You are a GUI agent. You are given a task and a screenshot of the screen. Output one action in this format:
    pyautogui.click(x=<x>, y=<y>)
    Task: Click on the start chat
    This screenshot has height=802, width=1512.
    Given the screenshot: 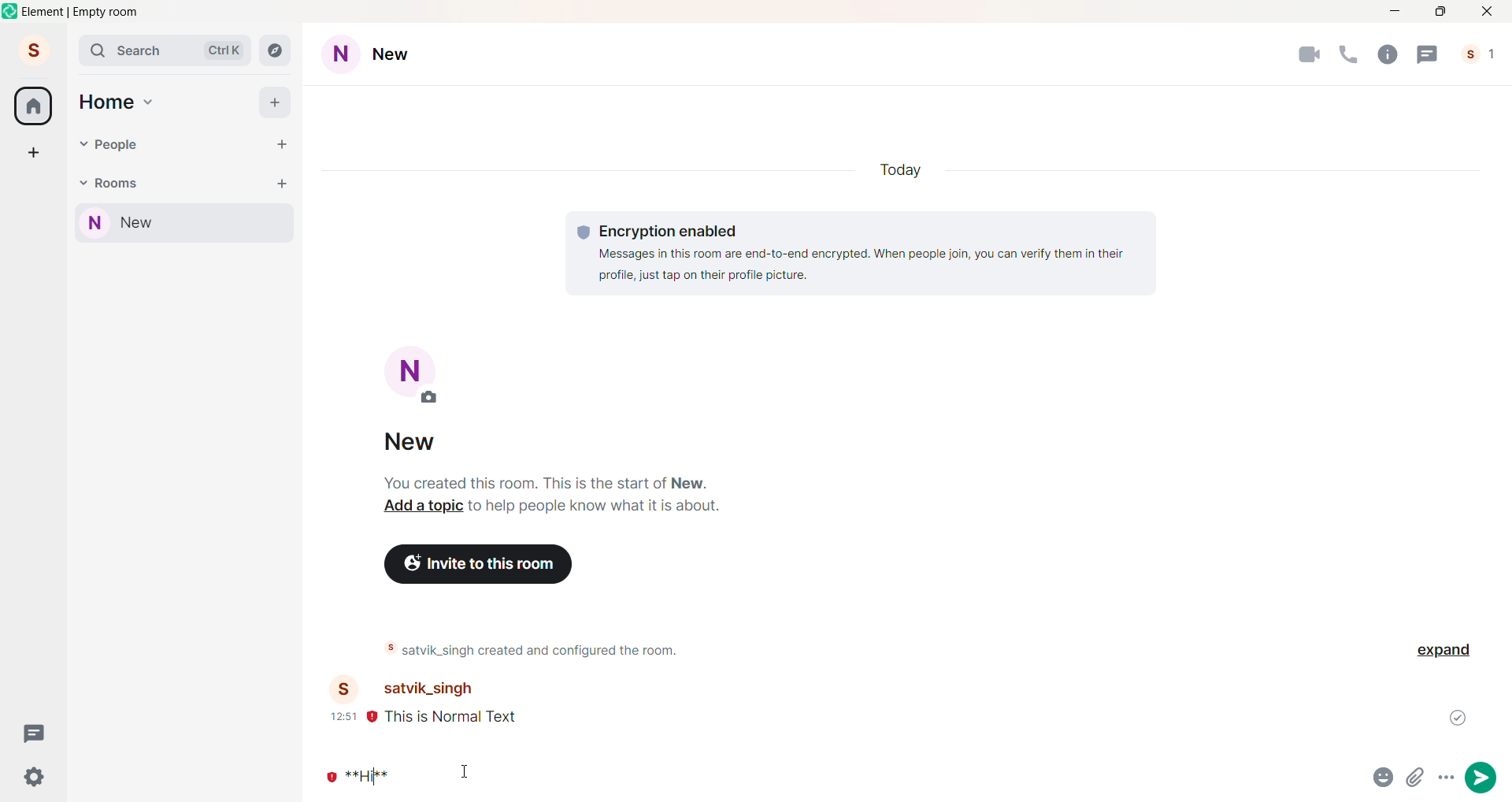 What is the action you would take?
    pyautogui.click(x=281, y=145)
    